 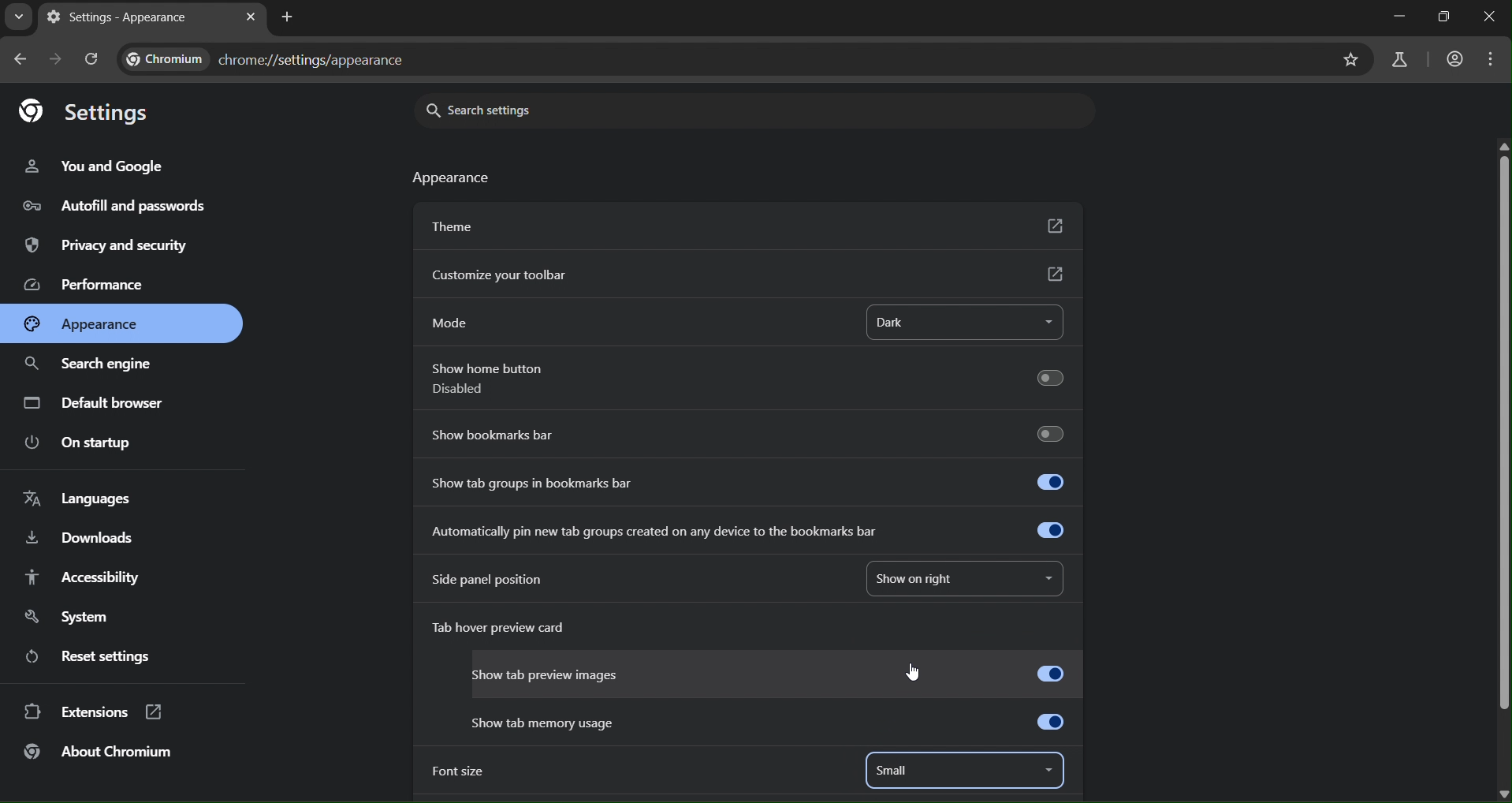 What do you see at coordinates (750, 275) in the screenshot?
I see `customize yr toolbar` at bounding box center [750, 275].